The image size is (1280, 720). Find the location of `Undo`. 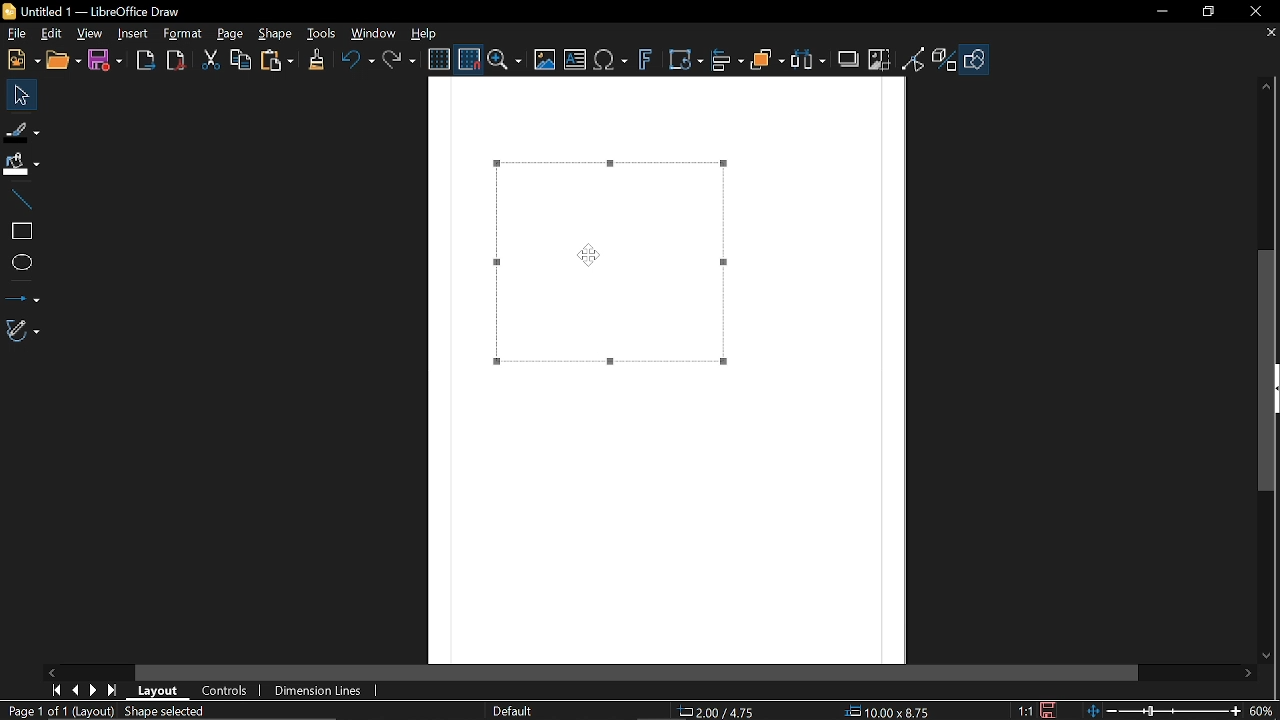

Undo is located at coordinates (357, 60).